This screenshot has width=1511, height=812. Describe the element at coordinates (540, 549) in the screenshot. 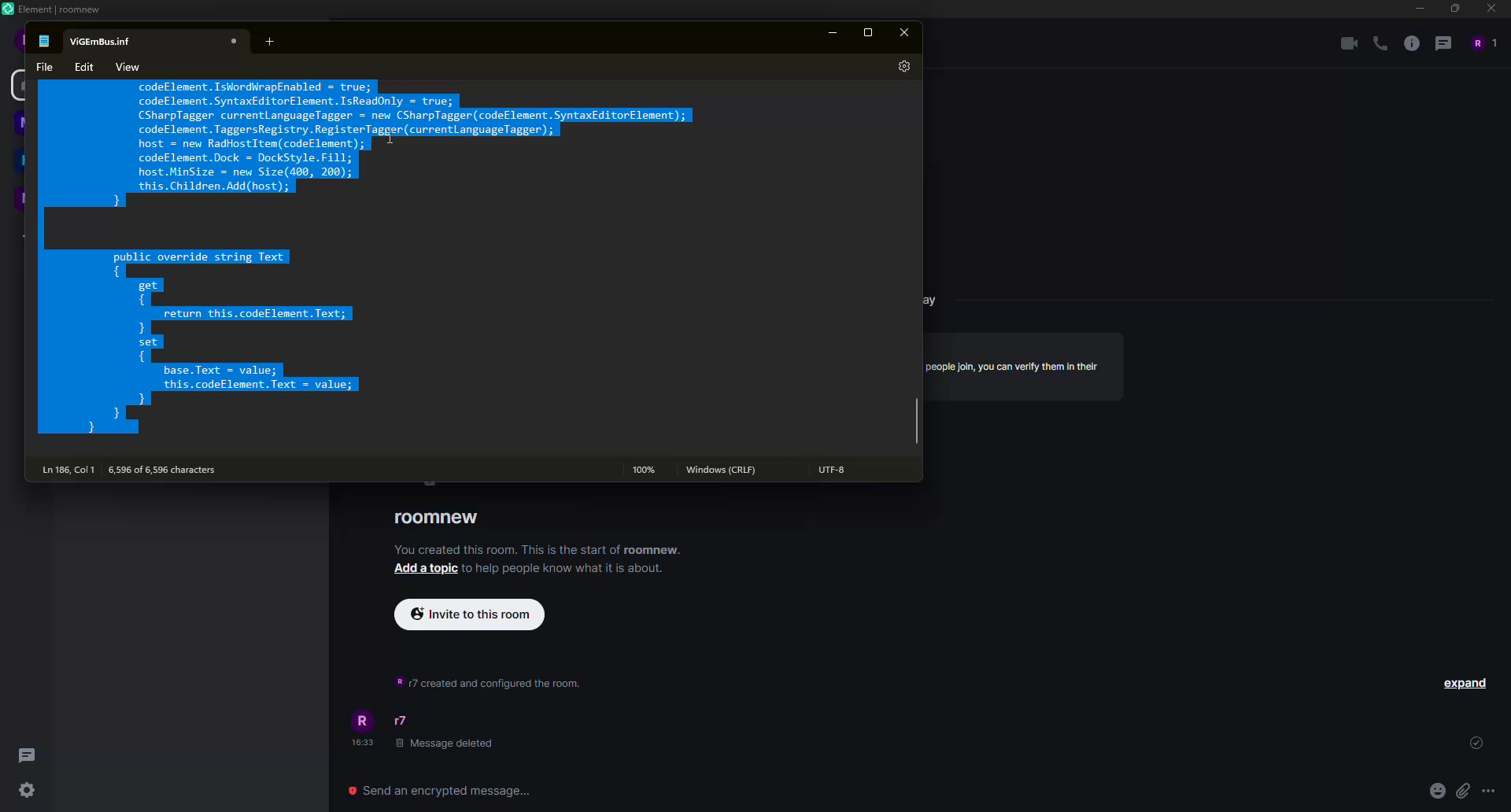

I see `info` at that location.